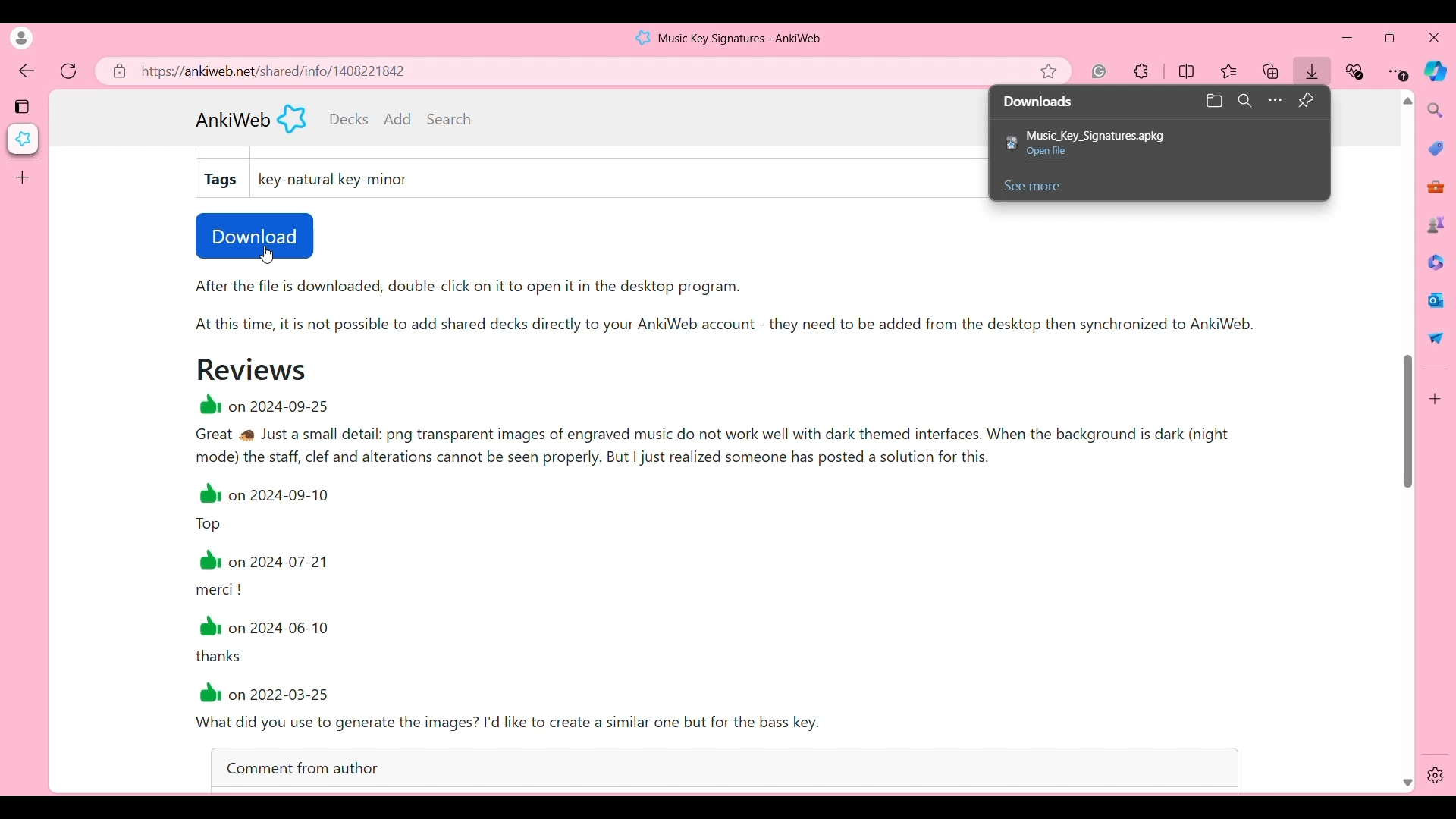 The image size is (1456, 819). What do you see at coordinates (1215, 101) in the screenshot?
I see `Open downloads folder` at bounding box center [1215, 101].